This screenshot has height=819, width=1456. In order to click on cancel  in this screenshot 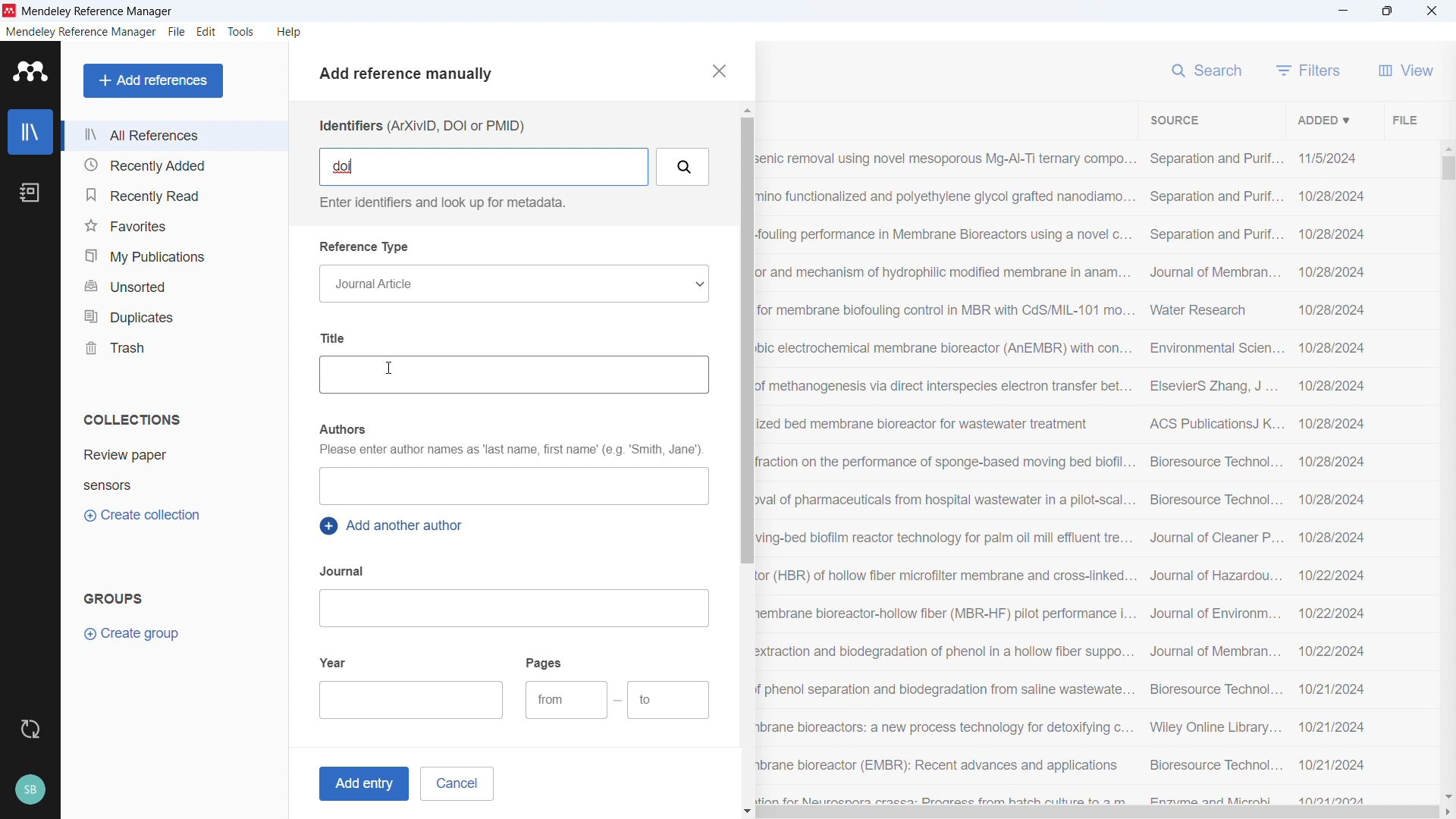, I will do `click(457, 783)`.